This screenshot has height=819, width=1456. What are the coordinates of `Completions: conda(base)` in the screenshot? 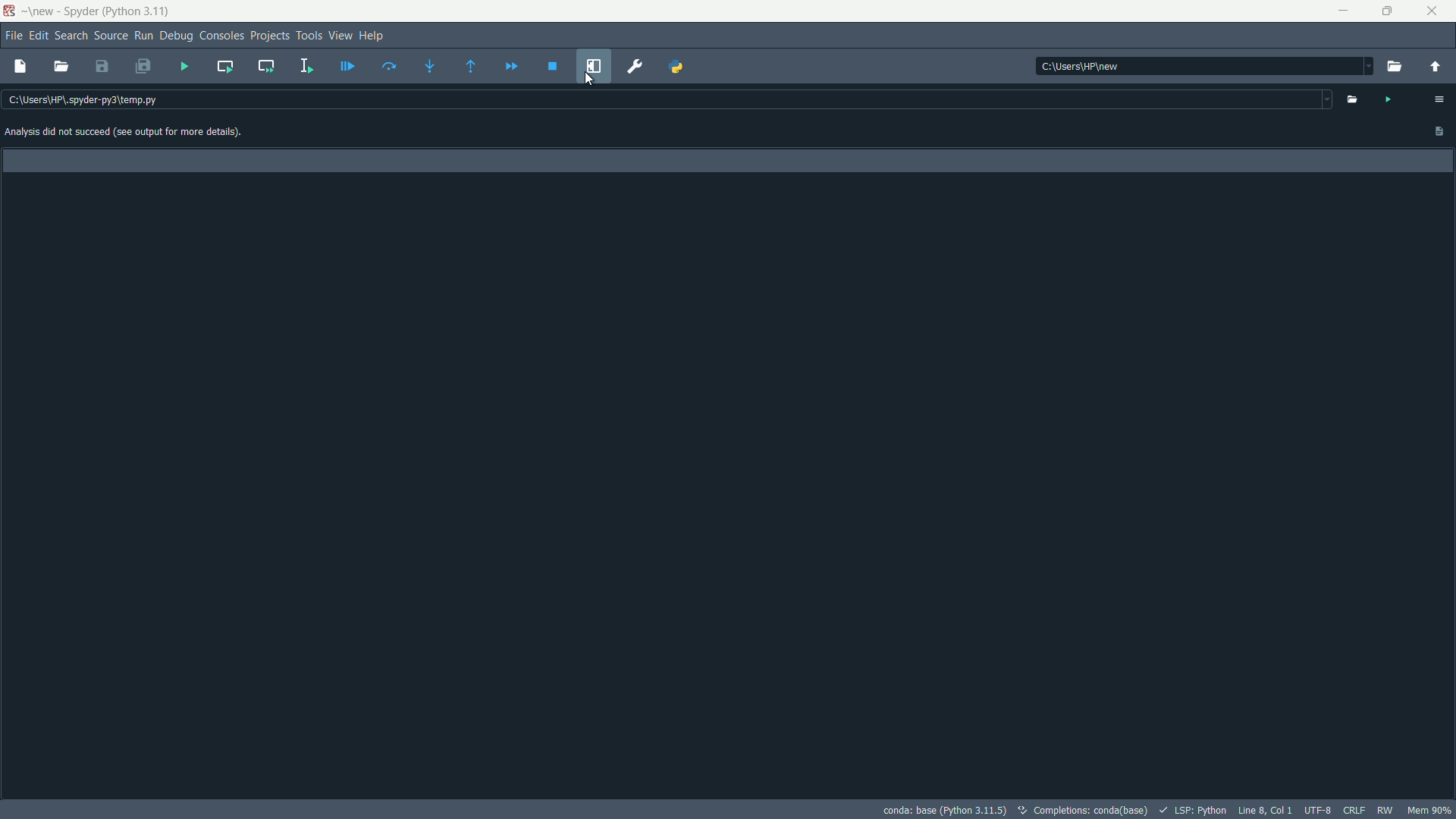 It's located at (1087, 809).